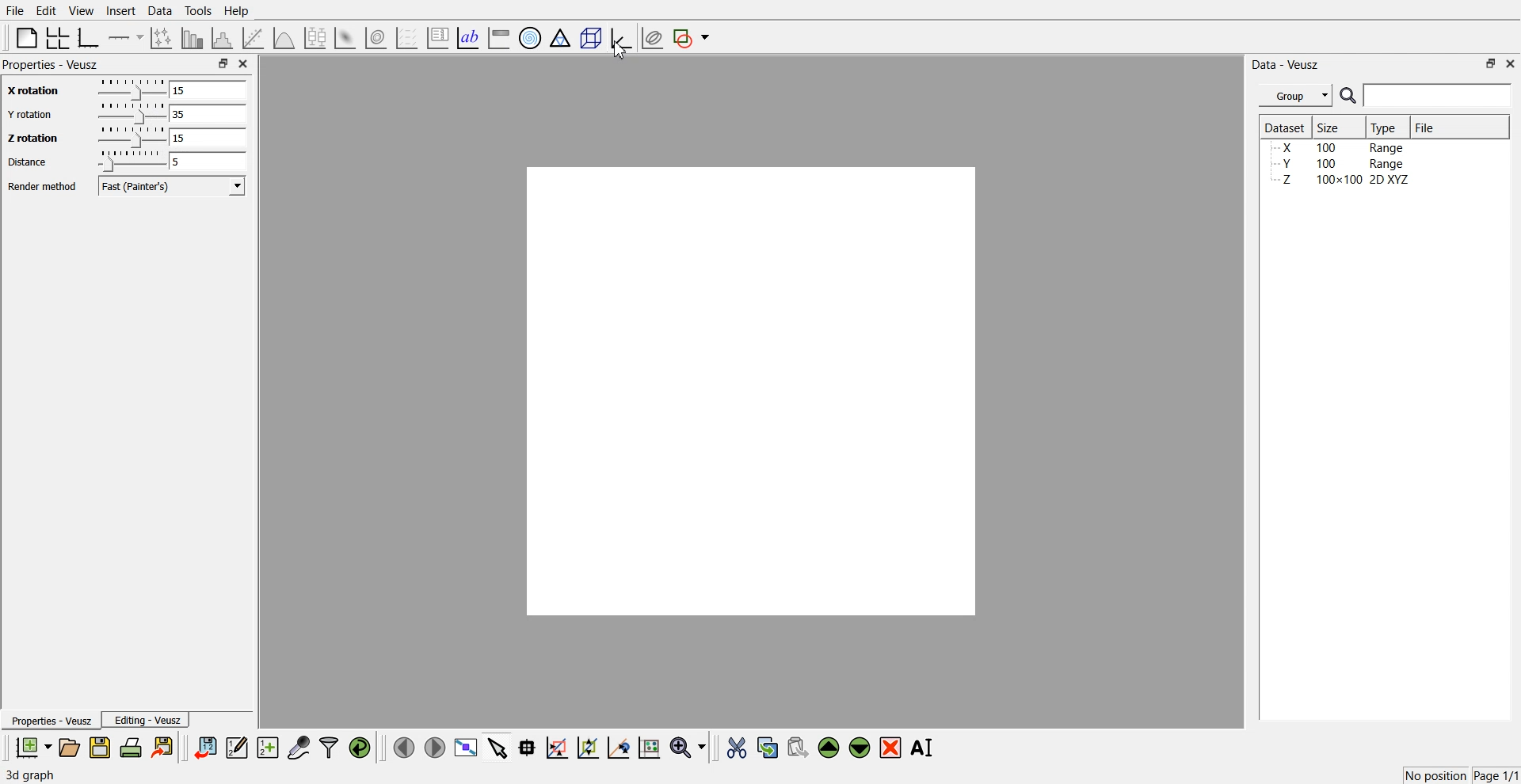 The width and height of the screenshot is (1521, 784). Describe the element at coordinates (208, 113) in the screenshot. I see `35` at that location.